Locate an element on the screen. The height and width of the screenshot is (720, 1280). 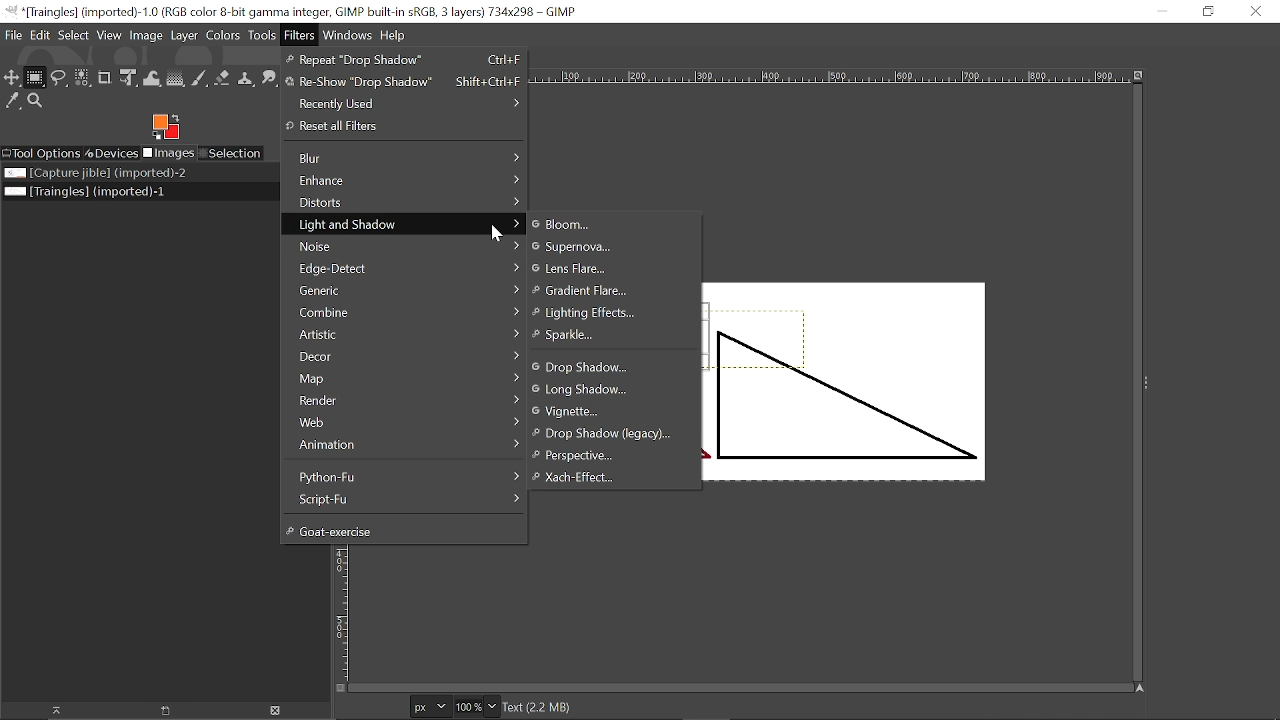
Python-fu is located at coordinates (403, 475).